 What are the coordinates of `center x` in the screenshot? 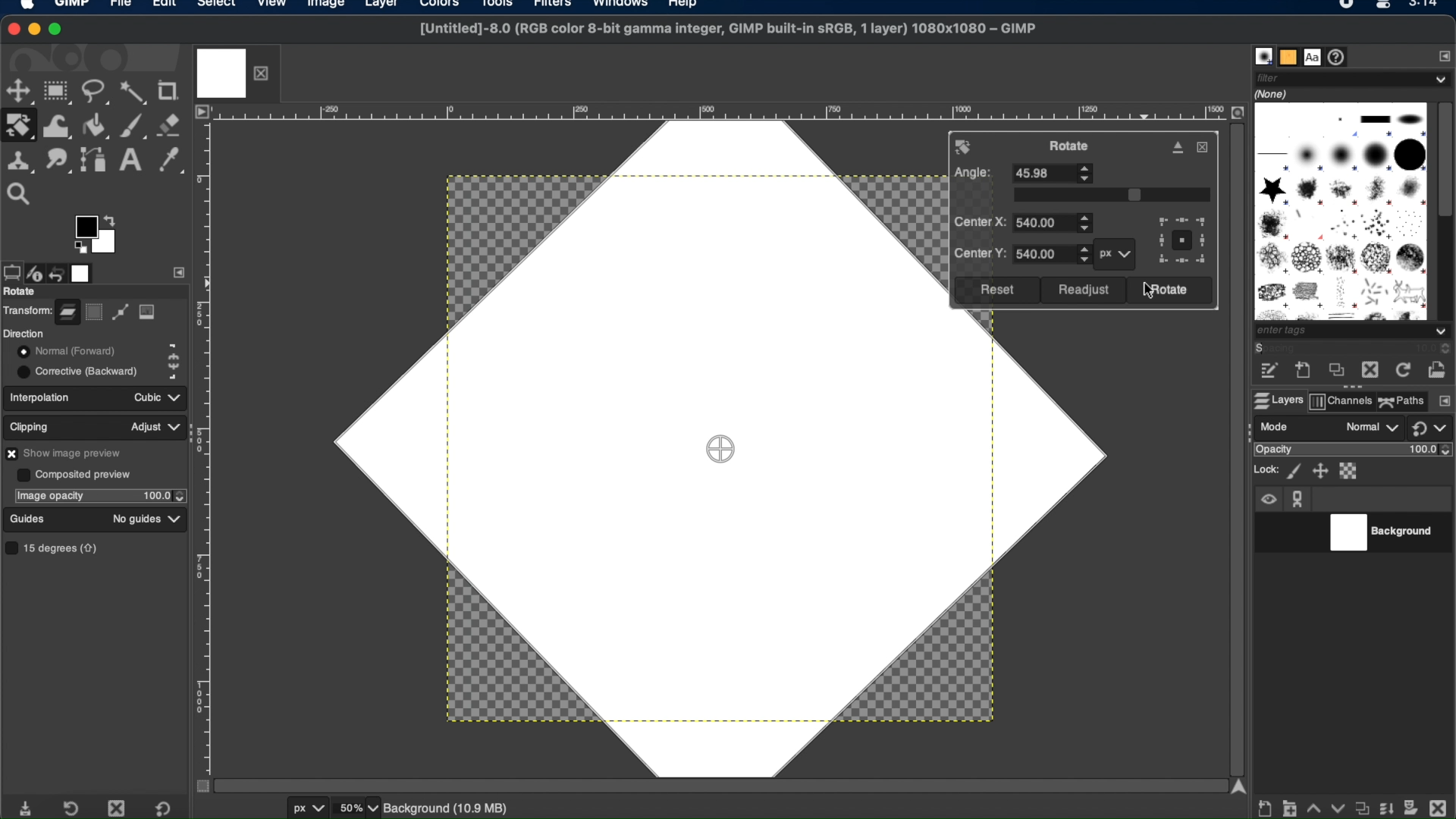 It's located at (1025, 223).